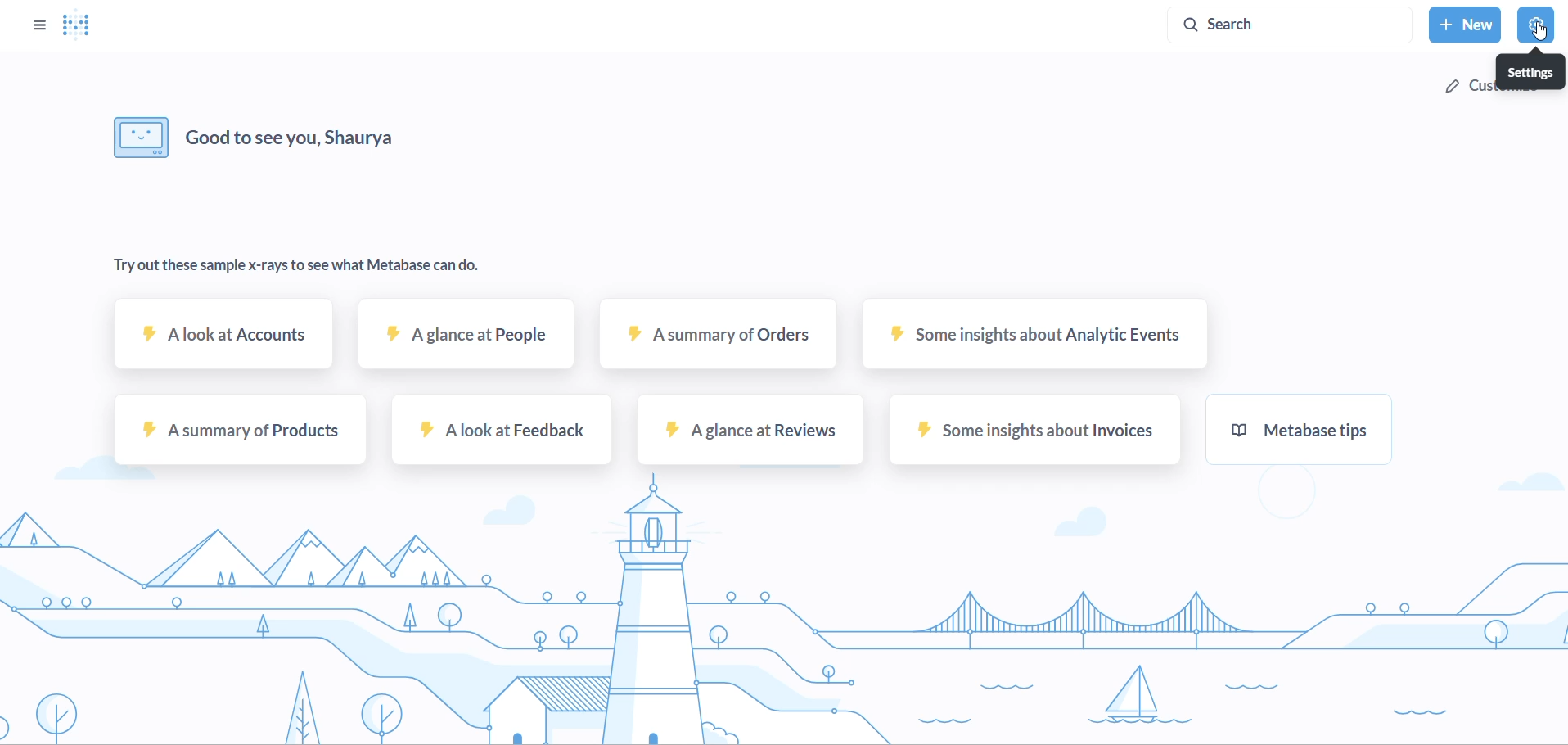 The image size is (1568, 745). Describe the element at coordinates (32, 24) in the screenshot. I see `open sidebar` at that location.